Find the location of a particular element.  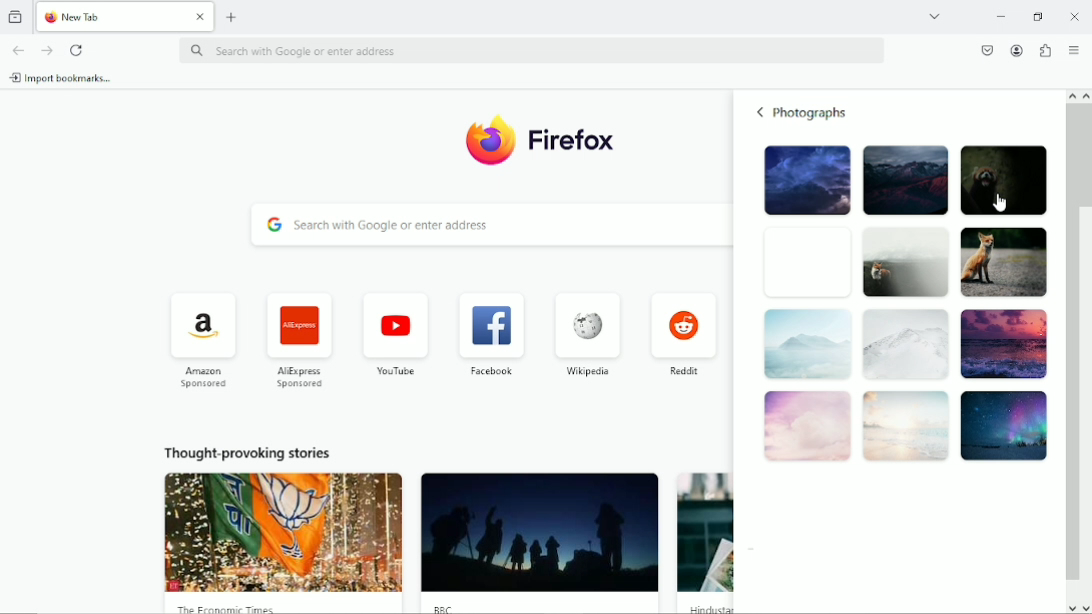

Thought provoking story is located at coordinates (542, 541).